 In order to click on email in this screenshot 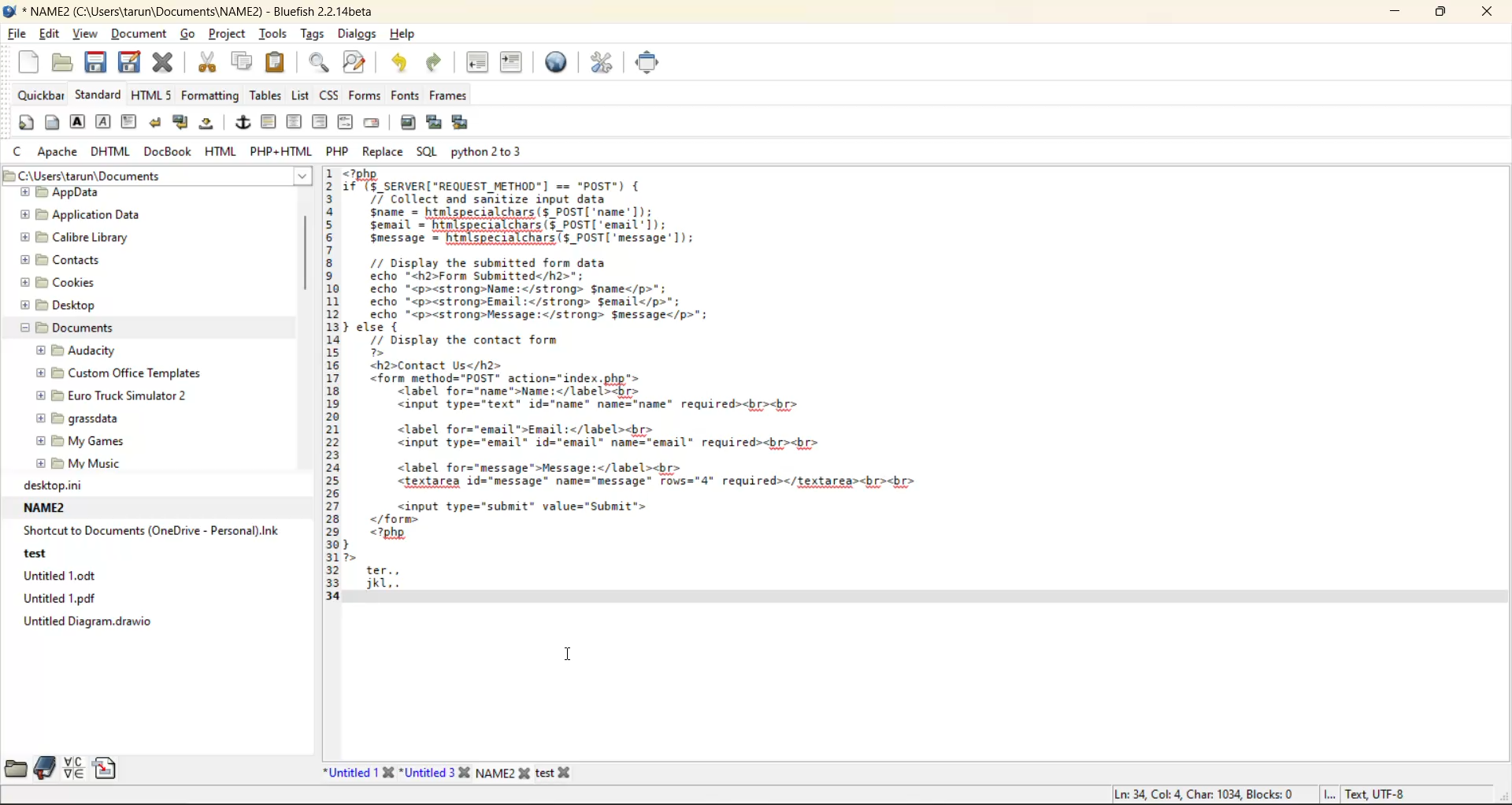, I will do `click(372, 122)`.